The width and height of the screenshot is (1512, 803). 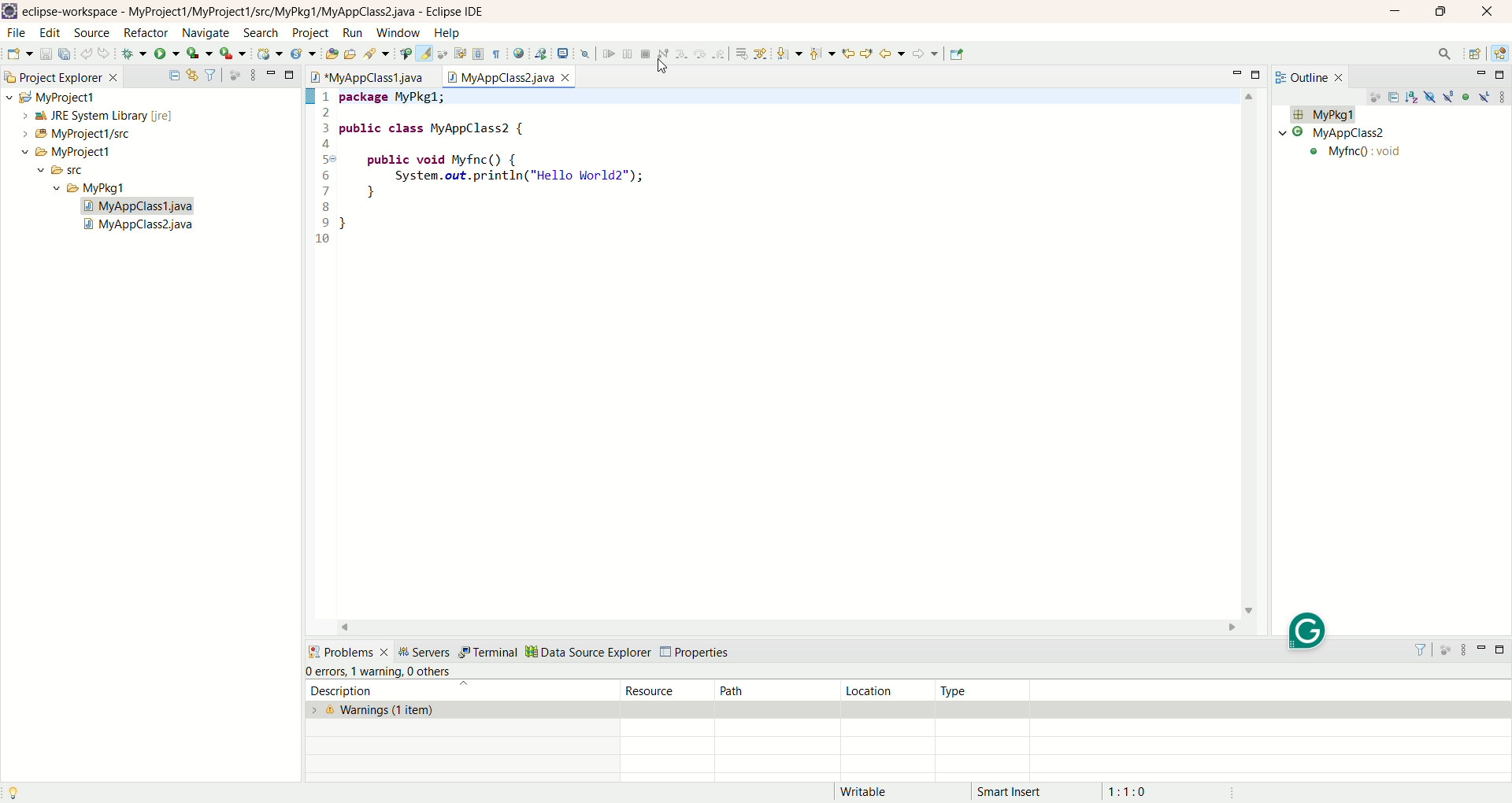 What do you see at coordinates (76, 172) in the screenshot?
I see `src` at bounding box center [76, 172].